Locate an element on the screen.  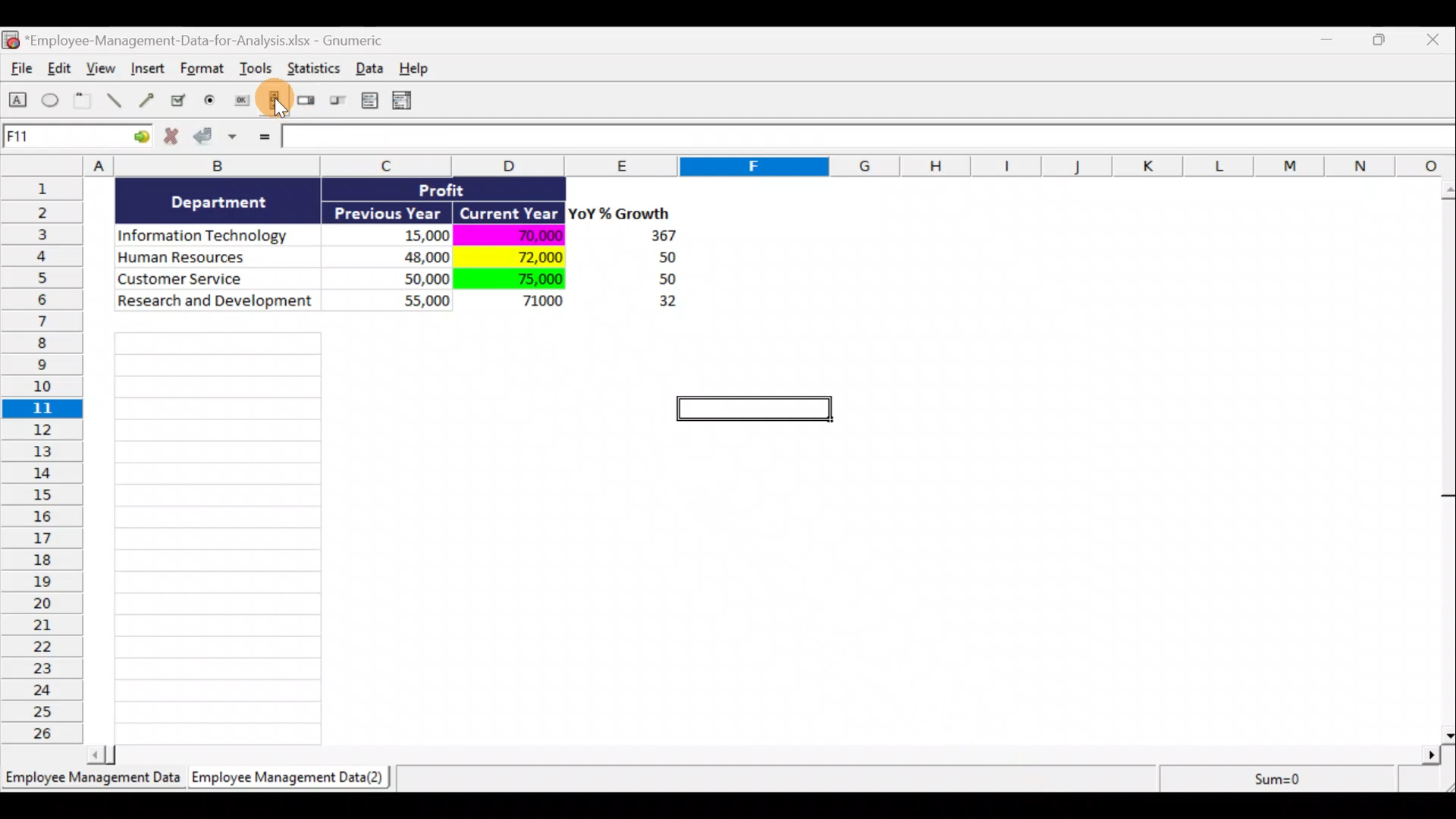
Document name is located at coordinates (201, 42).